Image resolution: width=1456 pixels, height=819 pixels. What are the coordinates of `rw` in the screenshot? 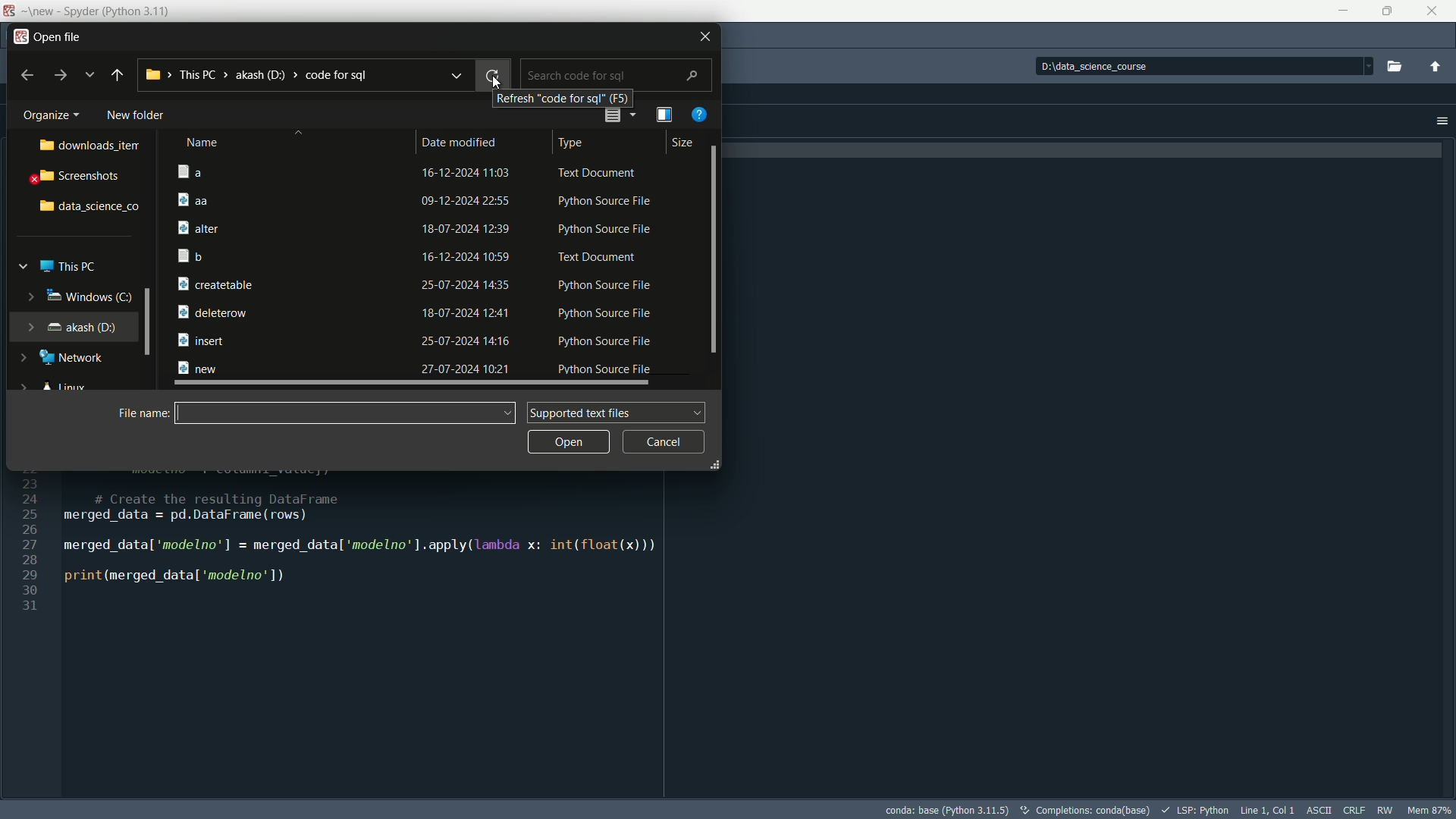 It's located at (1386, 810).